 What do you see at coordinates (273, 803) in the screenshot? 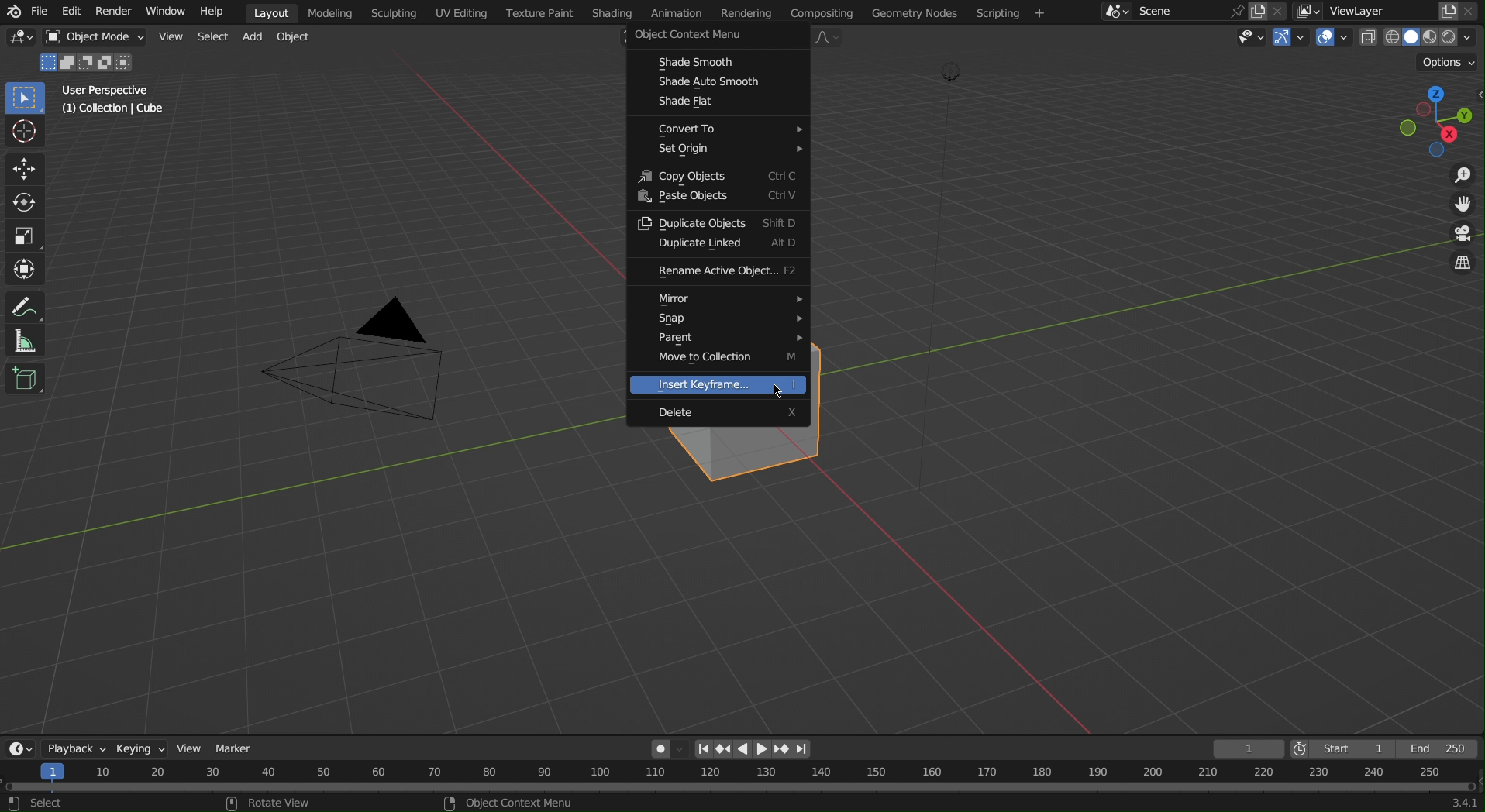
I see `rotate view` at bounding box center [273, 803].